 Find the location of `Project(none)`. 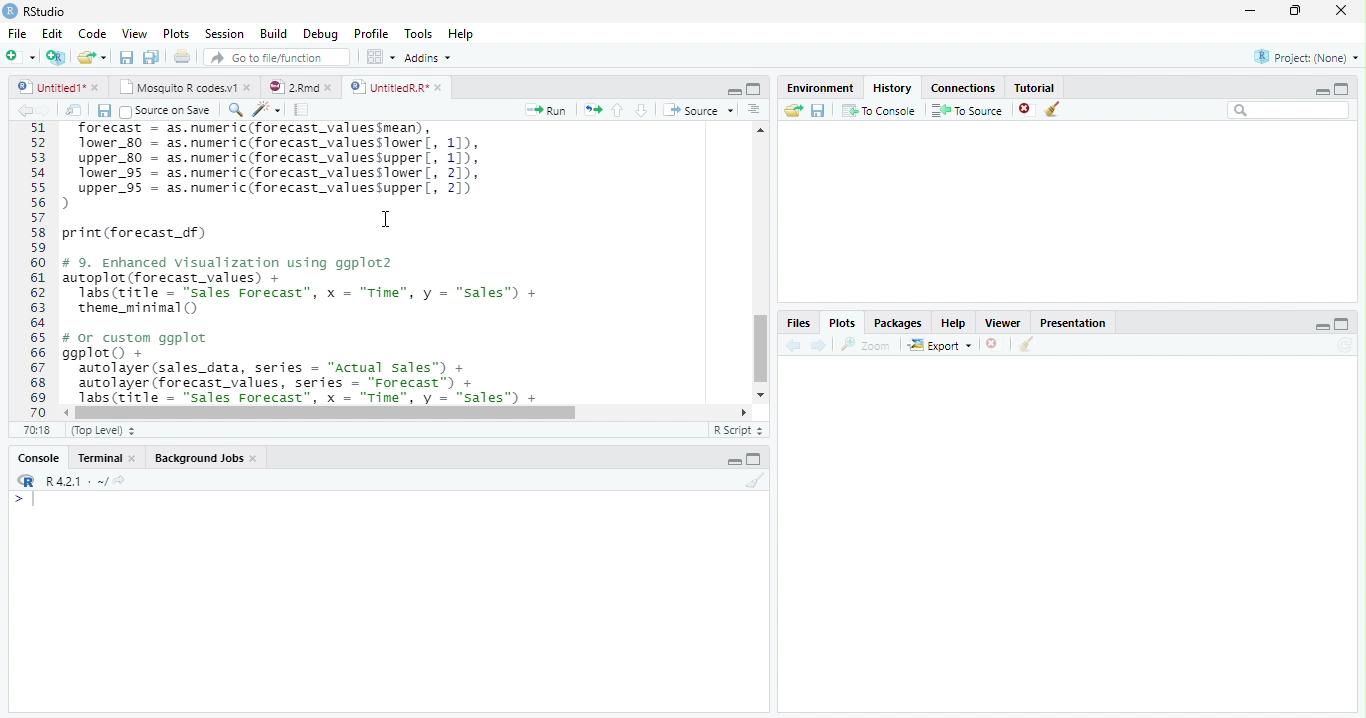

Project(none) is located at coordinates (1305, 56).